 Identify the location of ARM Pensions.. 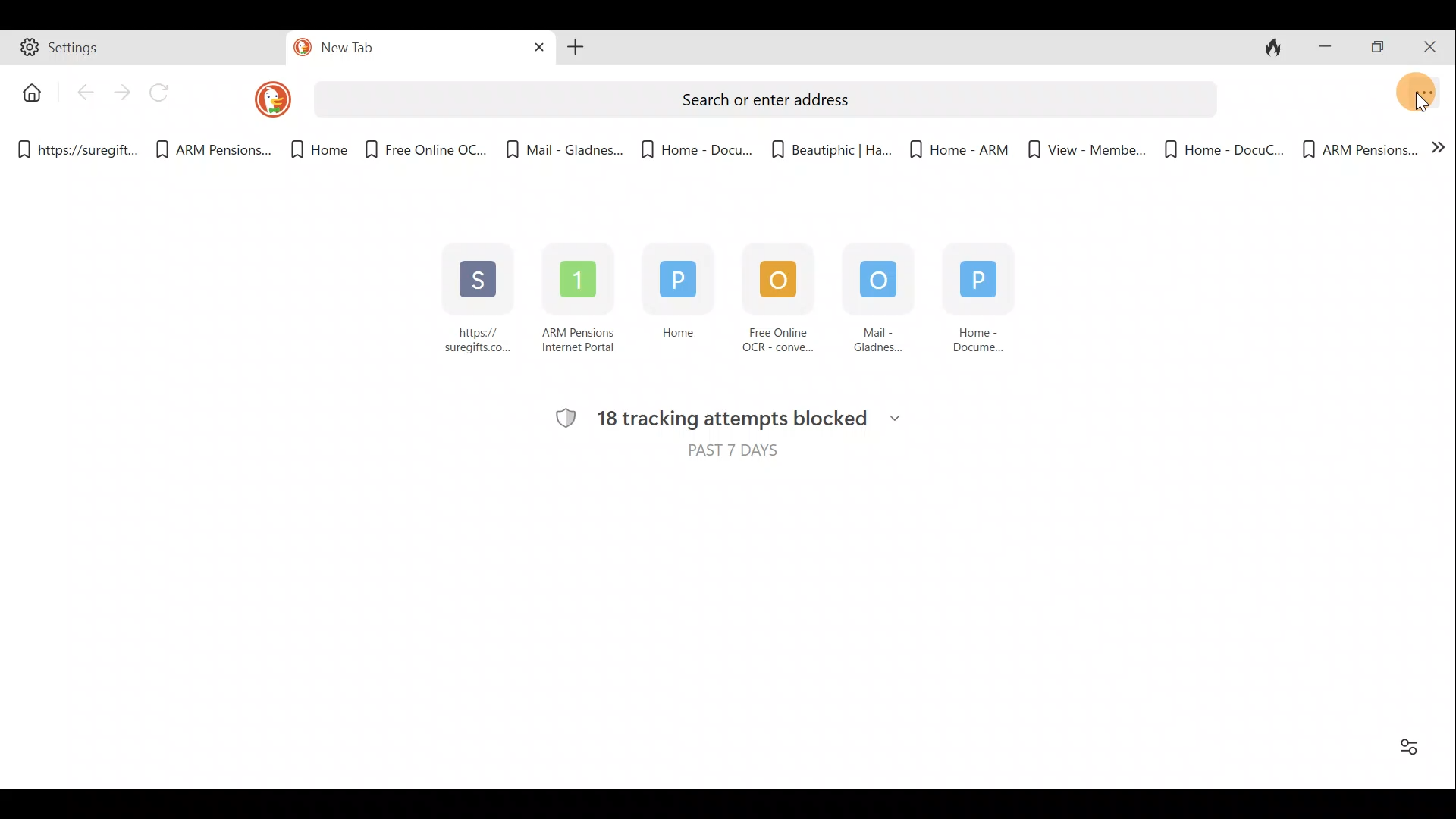
(209, 150).